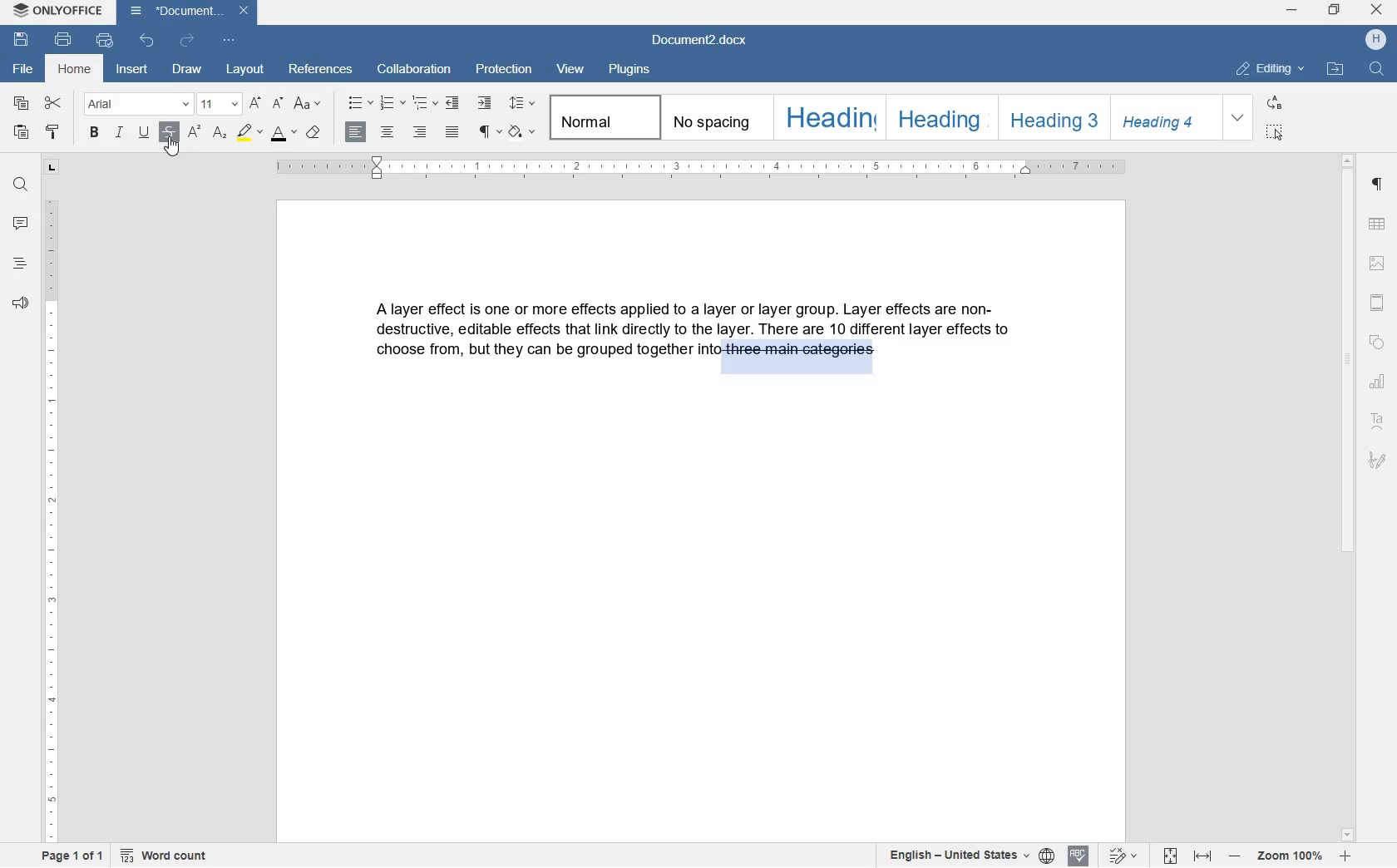 Image resolution: width=1397 pixels, height=868 pixels. I want to click on restore, so click(1333, 11).